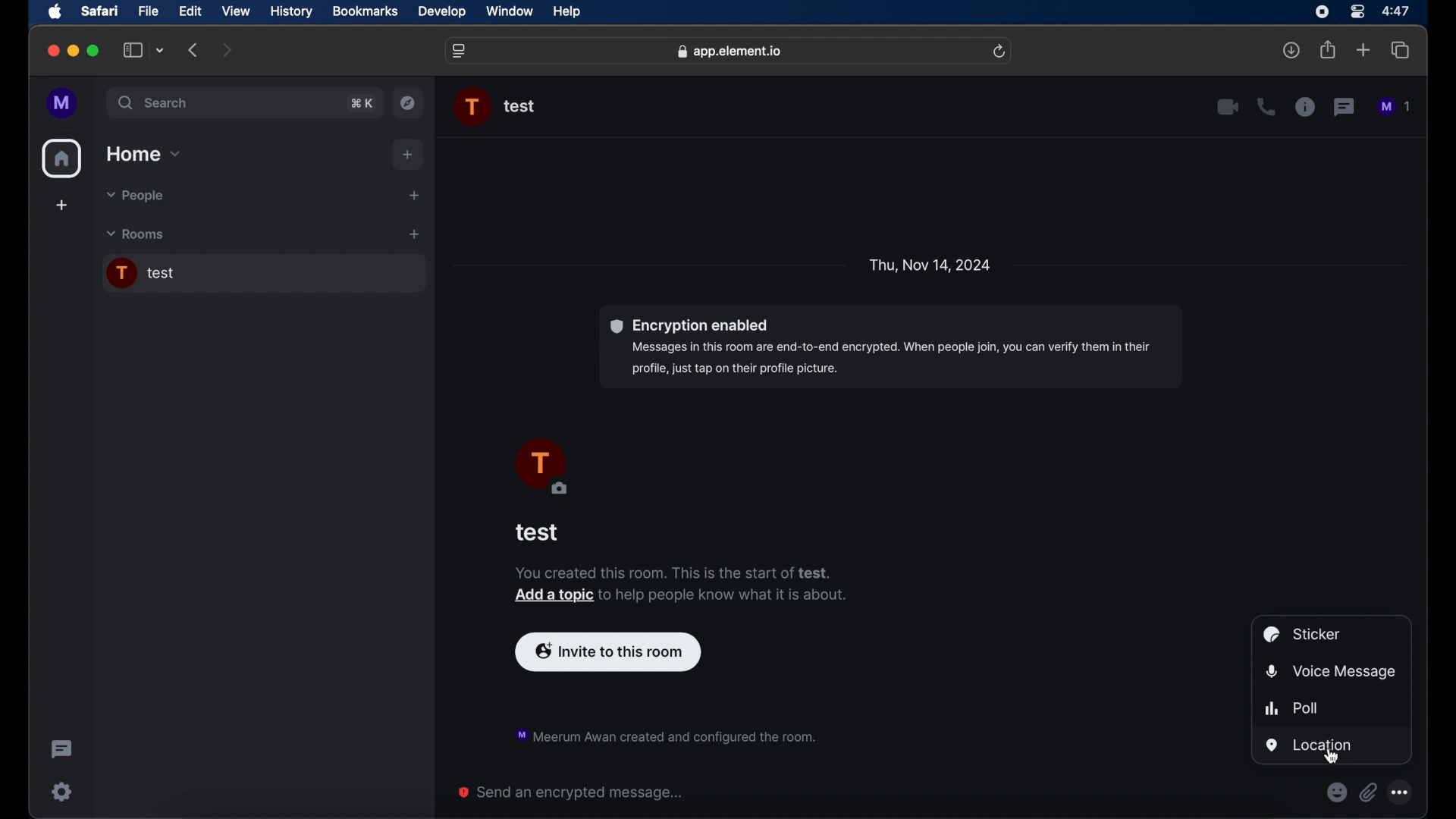 The width and height of the screenshot is (1456, 819). I want to click on window, so click(511, 12).